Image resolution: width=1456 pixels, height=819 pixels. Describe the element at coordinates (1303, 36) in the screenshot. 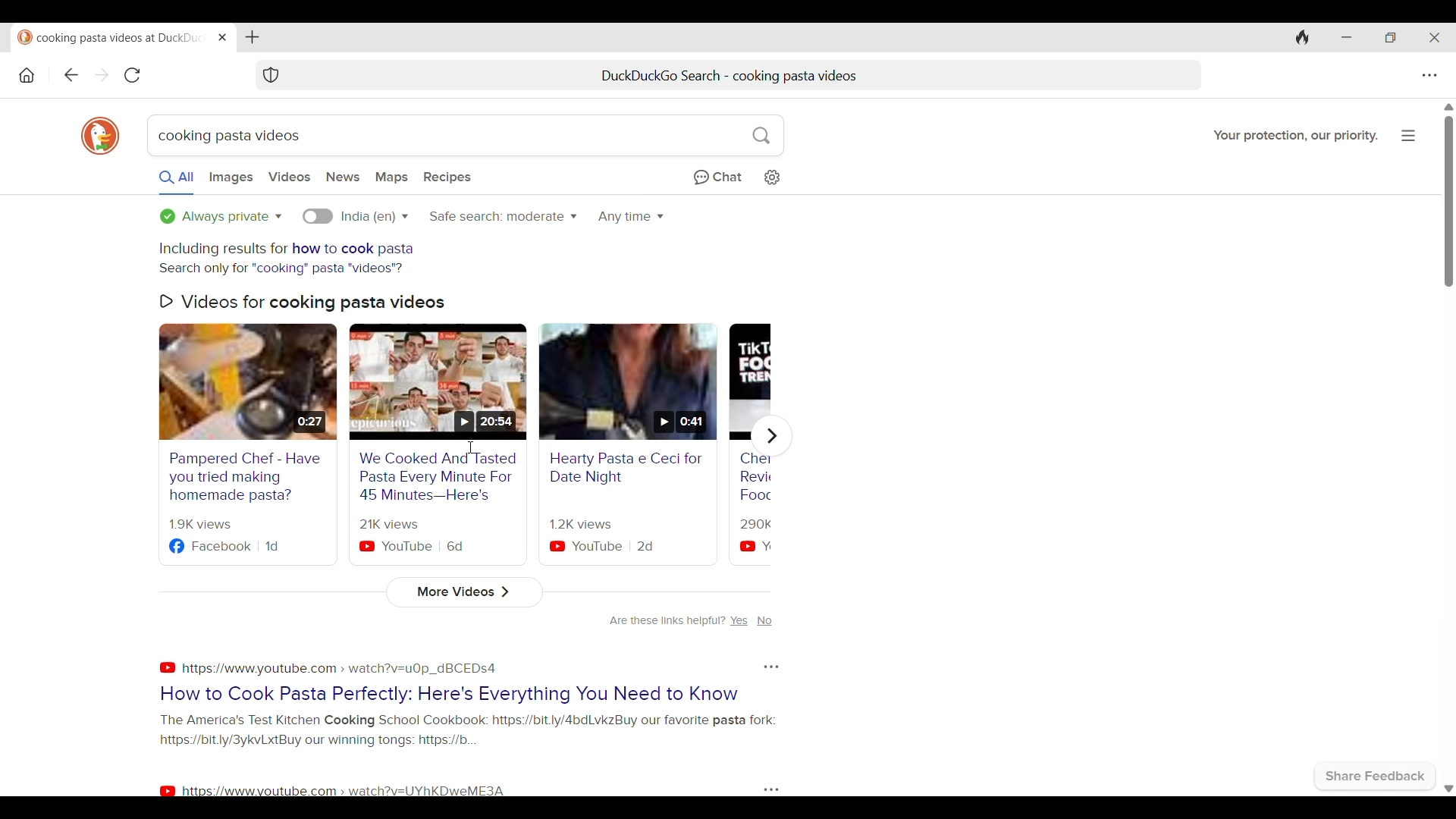

I see `Clear browsing history` at that location.